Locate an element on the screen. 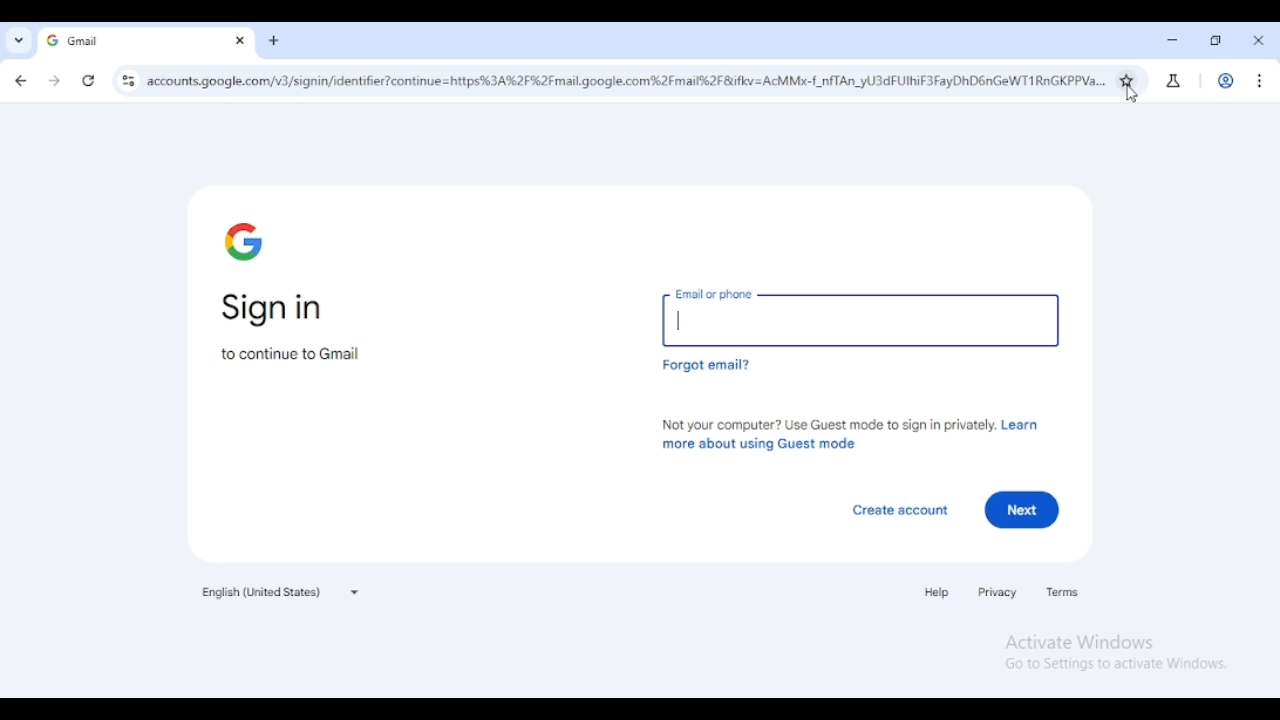 Image resolution: width=1280 pixels, height=720 pixels. google logo is located at coordinates (245, 241).